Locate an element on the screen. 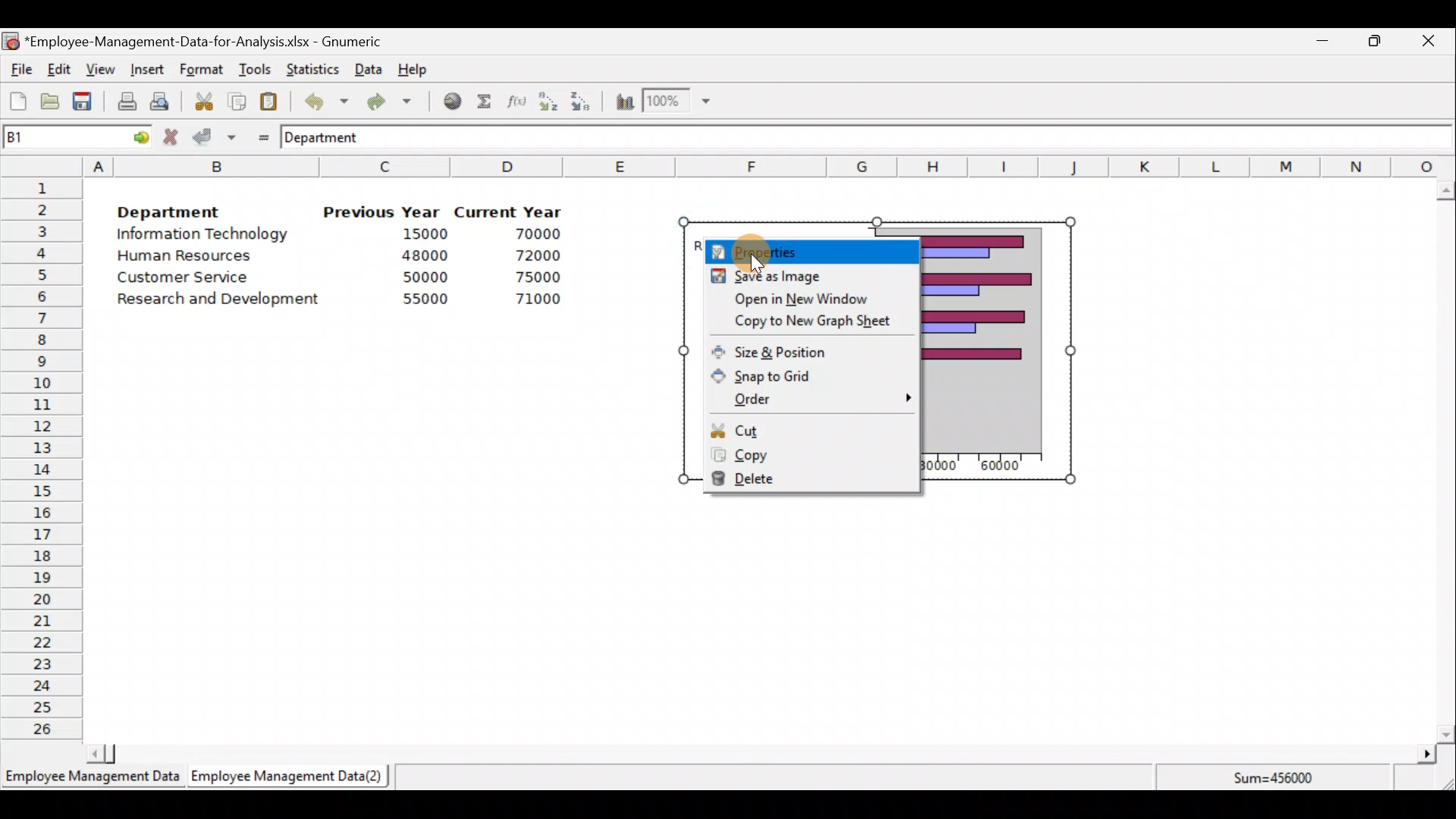  55000 is located at coordinates (426, 299).